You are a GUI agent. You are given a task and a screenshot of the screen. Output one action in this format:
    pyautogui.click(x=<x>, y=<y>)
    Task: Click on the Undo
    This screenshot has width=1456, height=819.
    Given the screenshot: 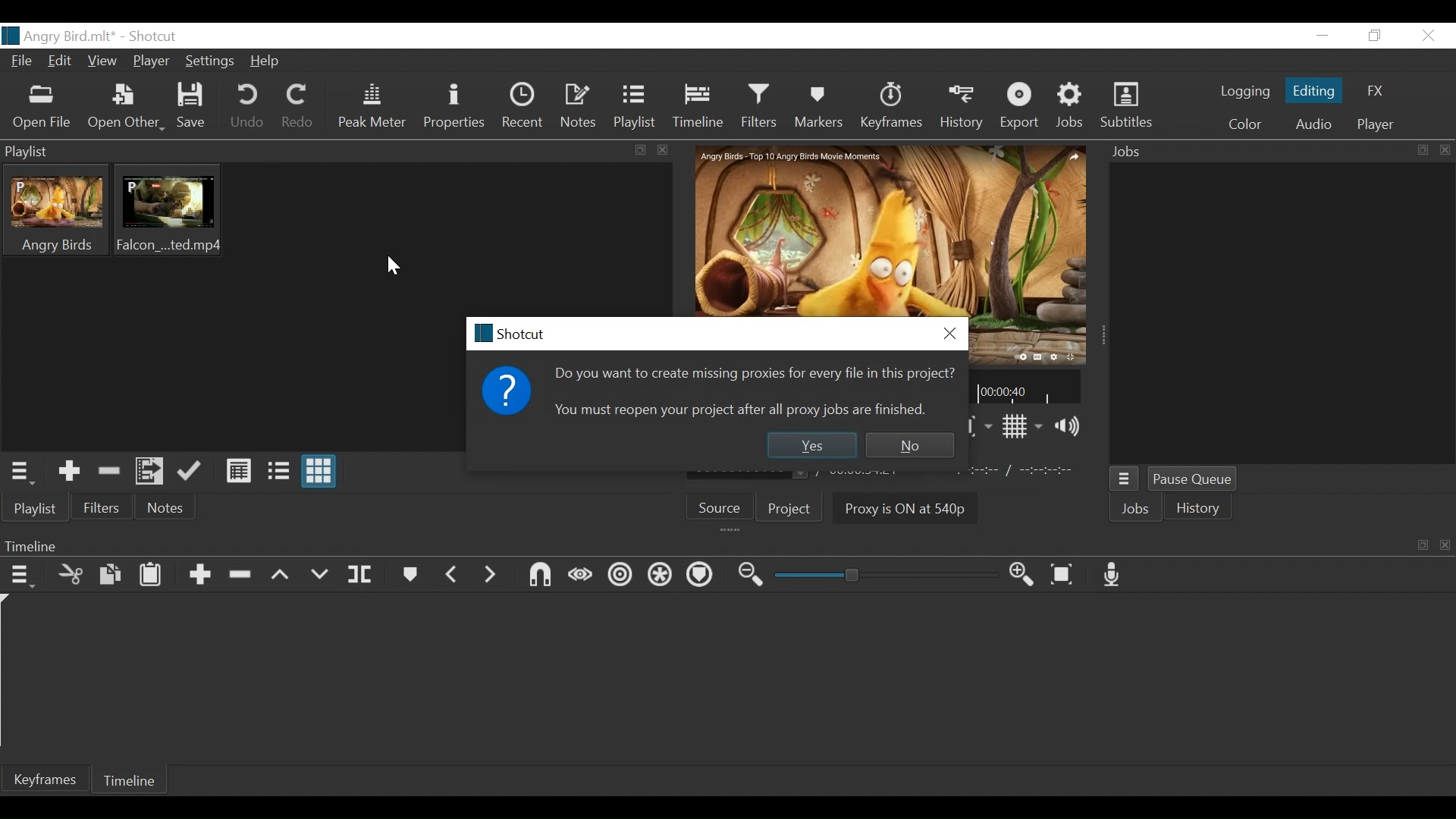 What is the action you would take?
    pyautogui.click(x=248, y=108)
    